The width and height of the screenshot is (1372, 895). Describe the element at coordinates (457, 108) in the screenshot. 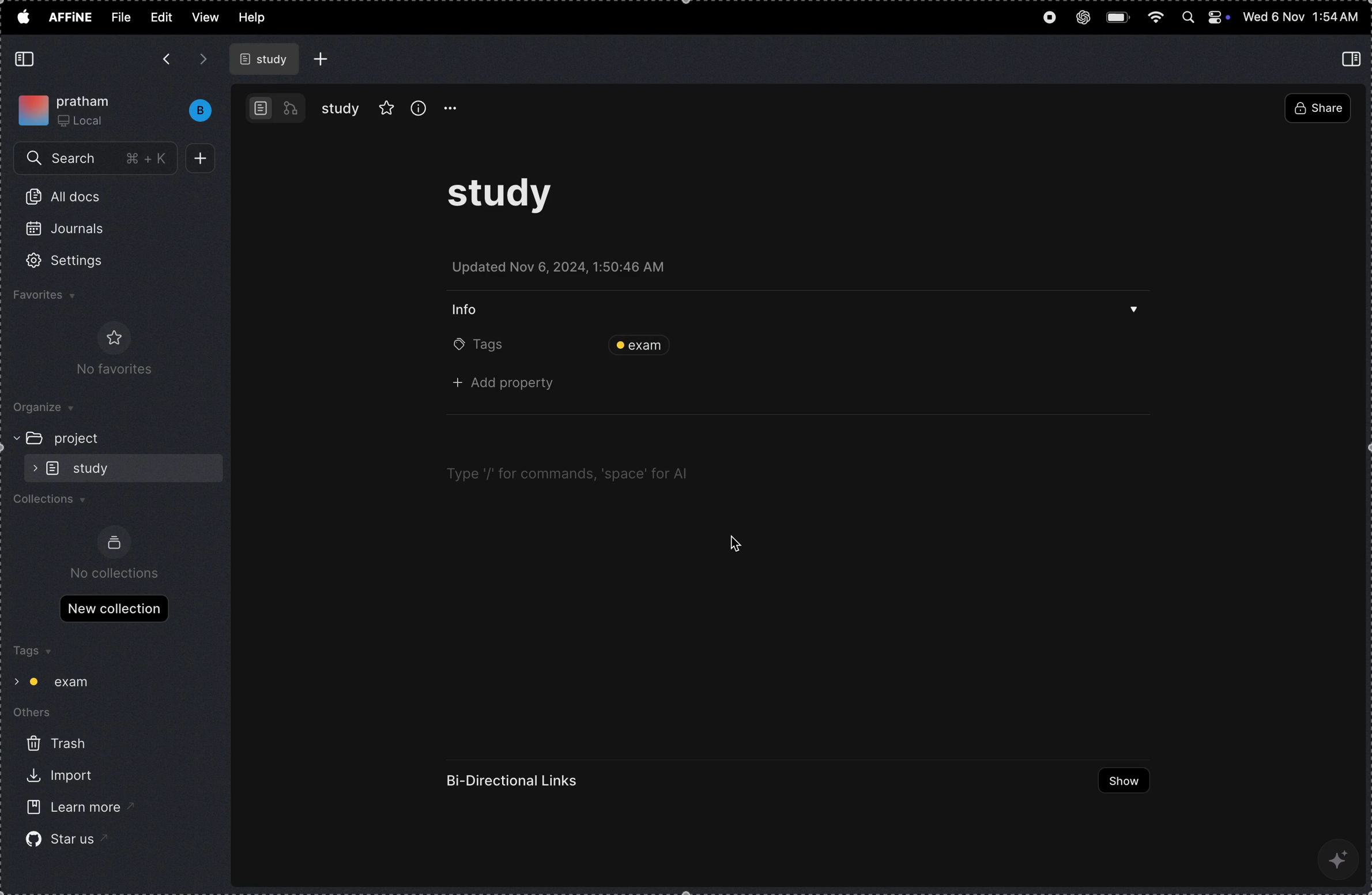

I see `option` at that location.